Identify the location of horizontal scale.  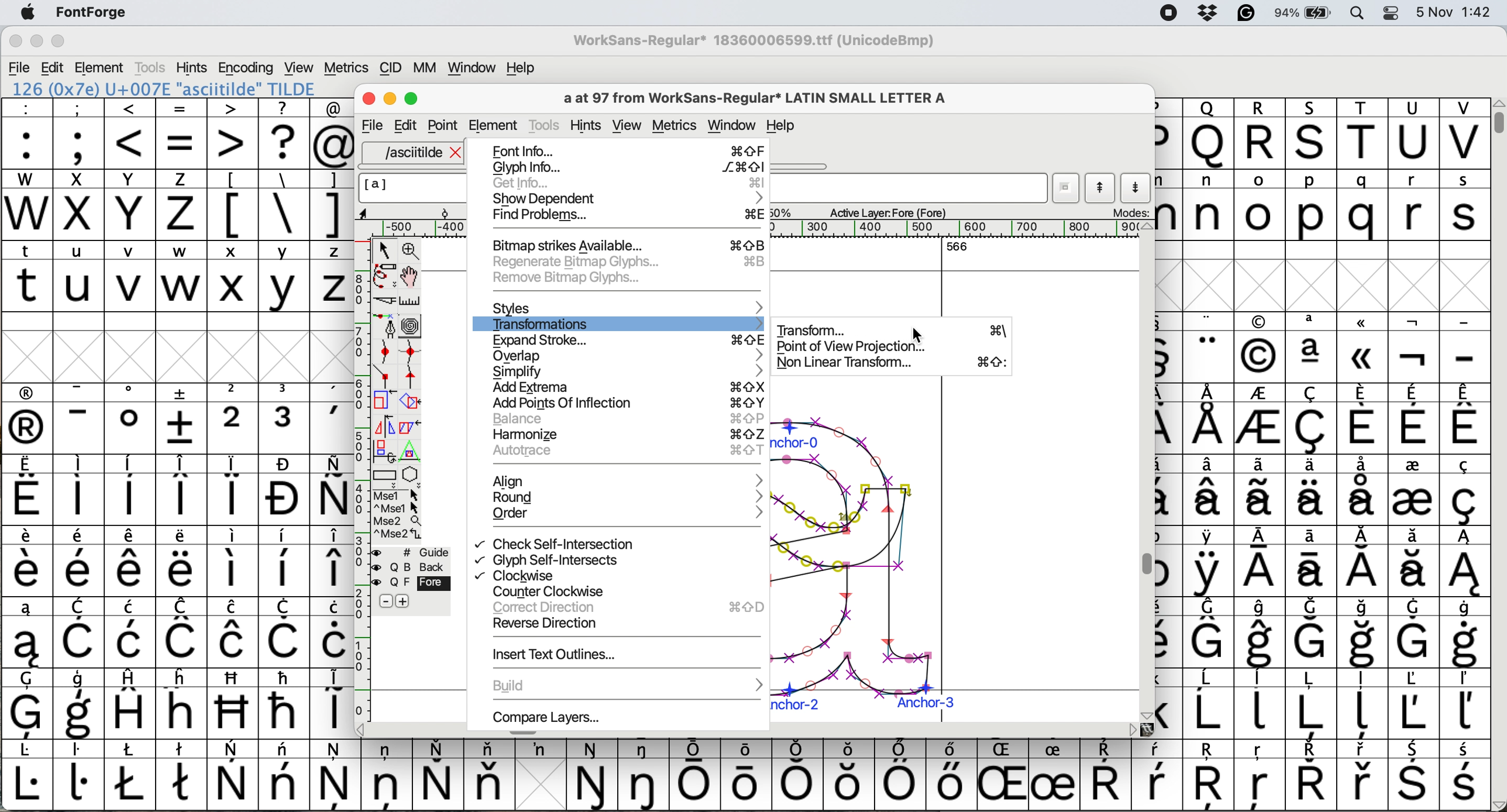
(427, 228).